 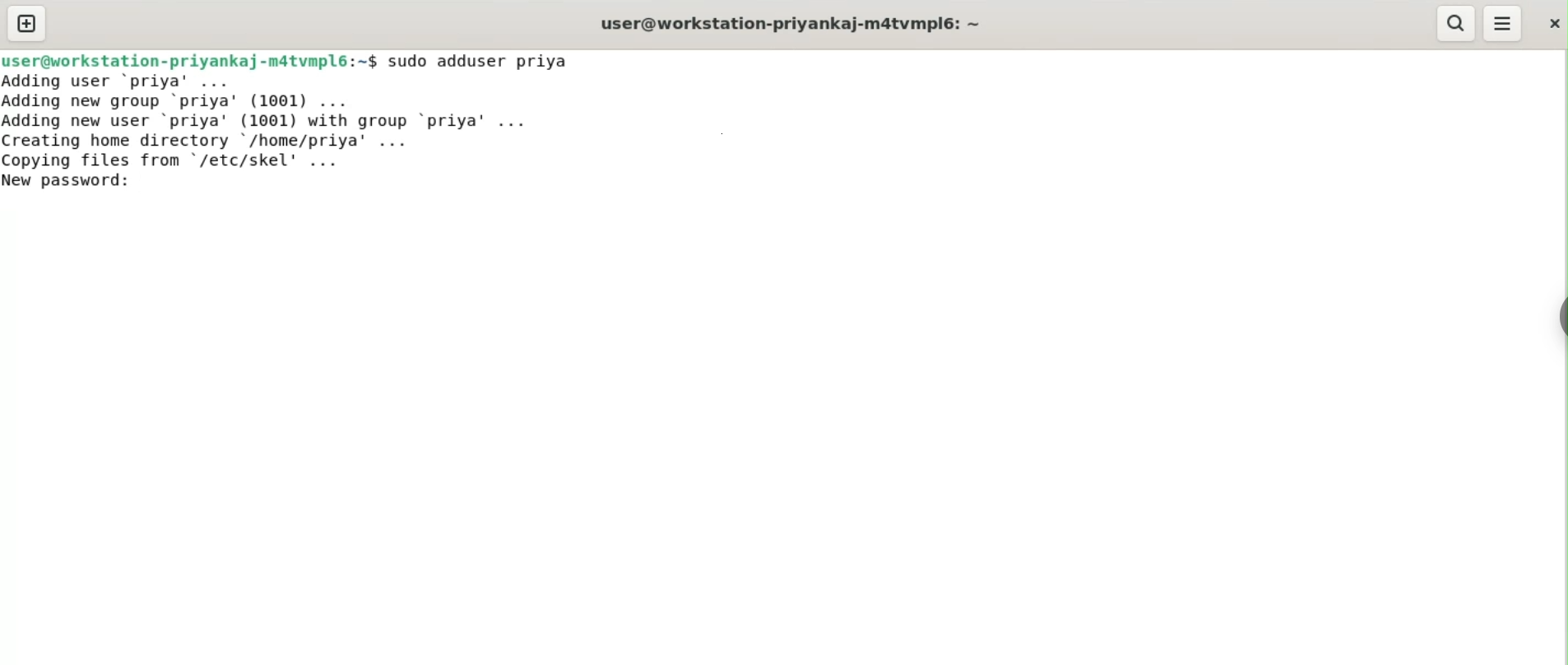 I want to click on sudo adduser priya, so click(x=489, y=61).